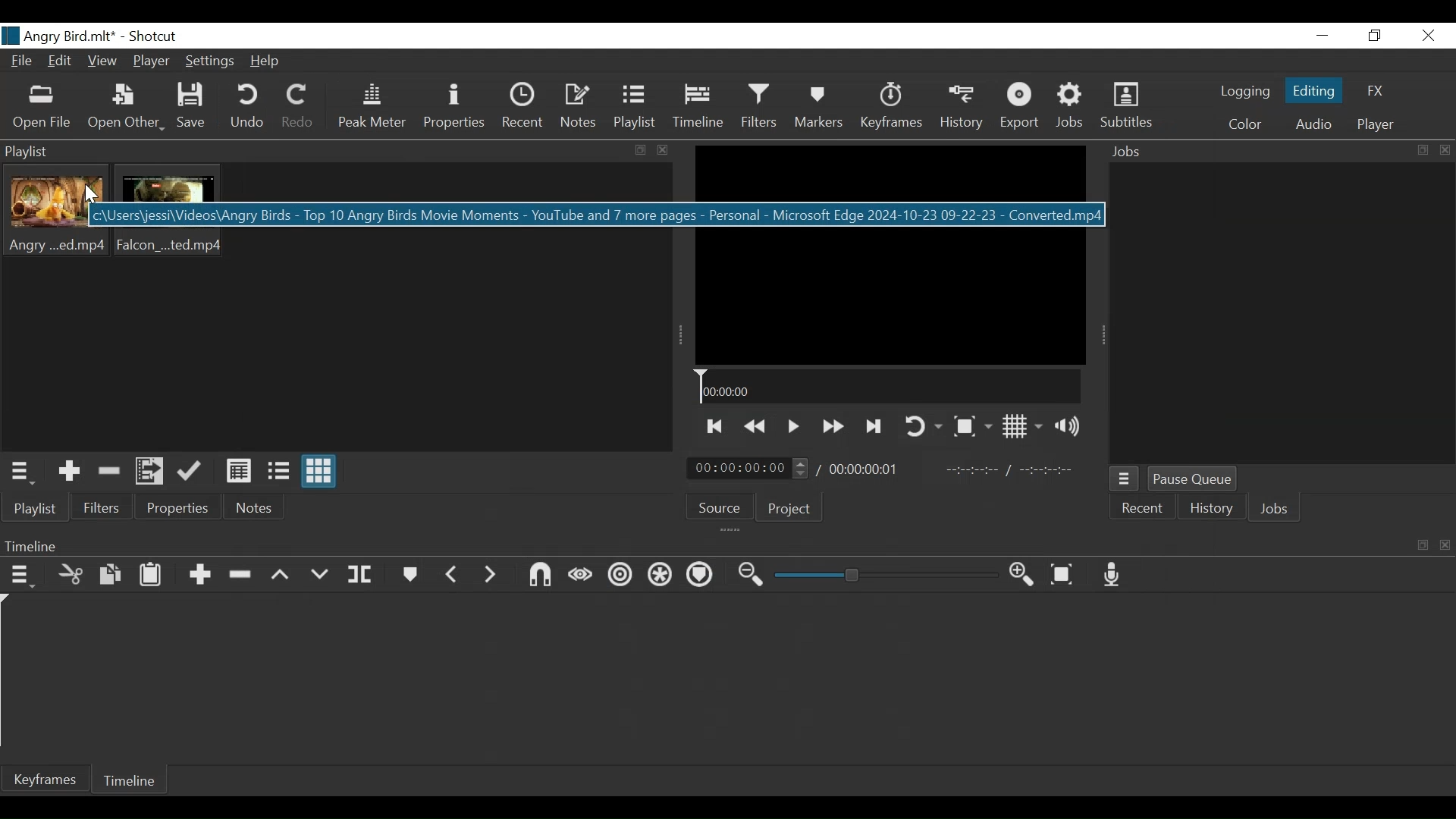 This screenshot has height=819, width=1456. What do you see at coordinates (297, 108) in the screenshot?
I see `Redo` at bounding box center [297, 108].